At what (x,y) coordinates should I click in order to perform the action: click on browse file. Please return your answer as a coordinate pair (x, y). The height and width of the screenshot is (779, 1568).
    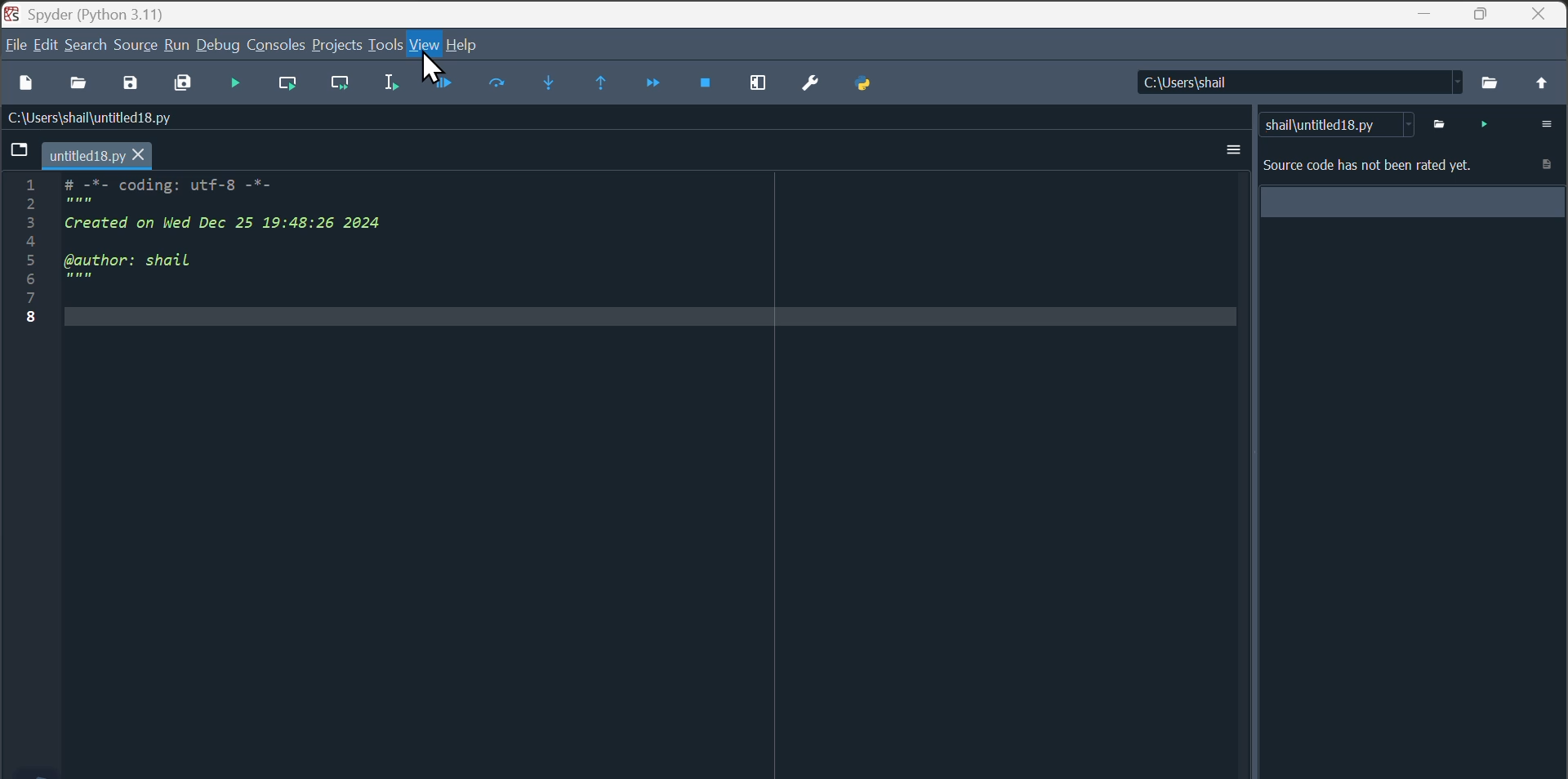
    Looking at the image, I should click on (1490, 81).